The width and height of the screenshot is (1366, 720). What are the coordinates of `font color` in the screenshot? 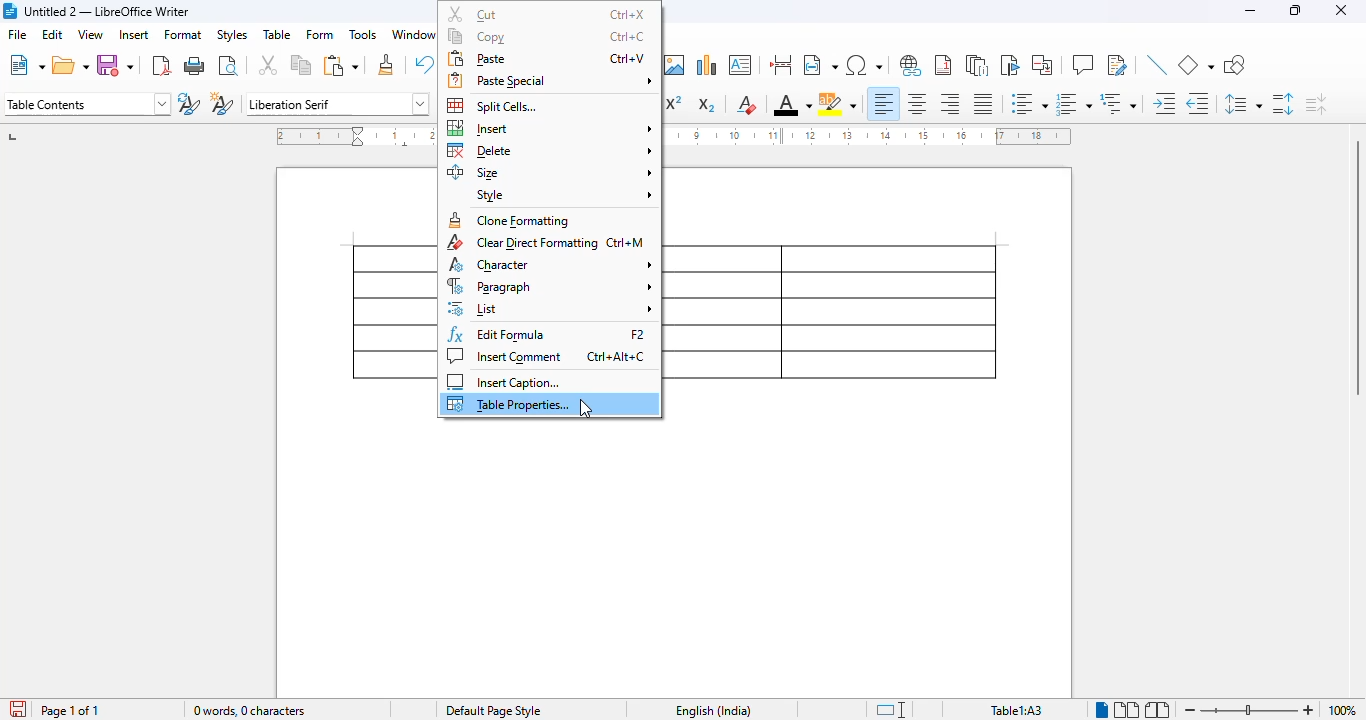 It's located at (792, 103).